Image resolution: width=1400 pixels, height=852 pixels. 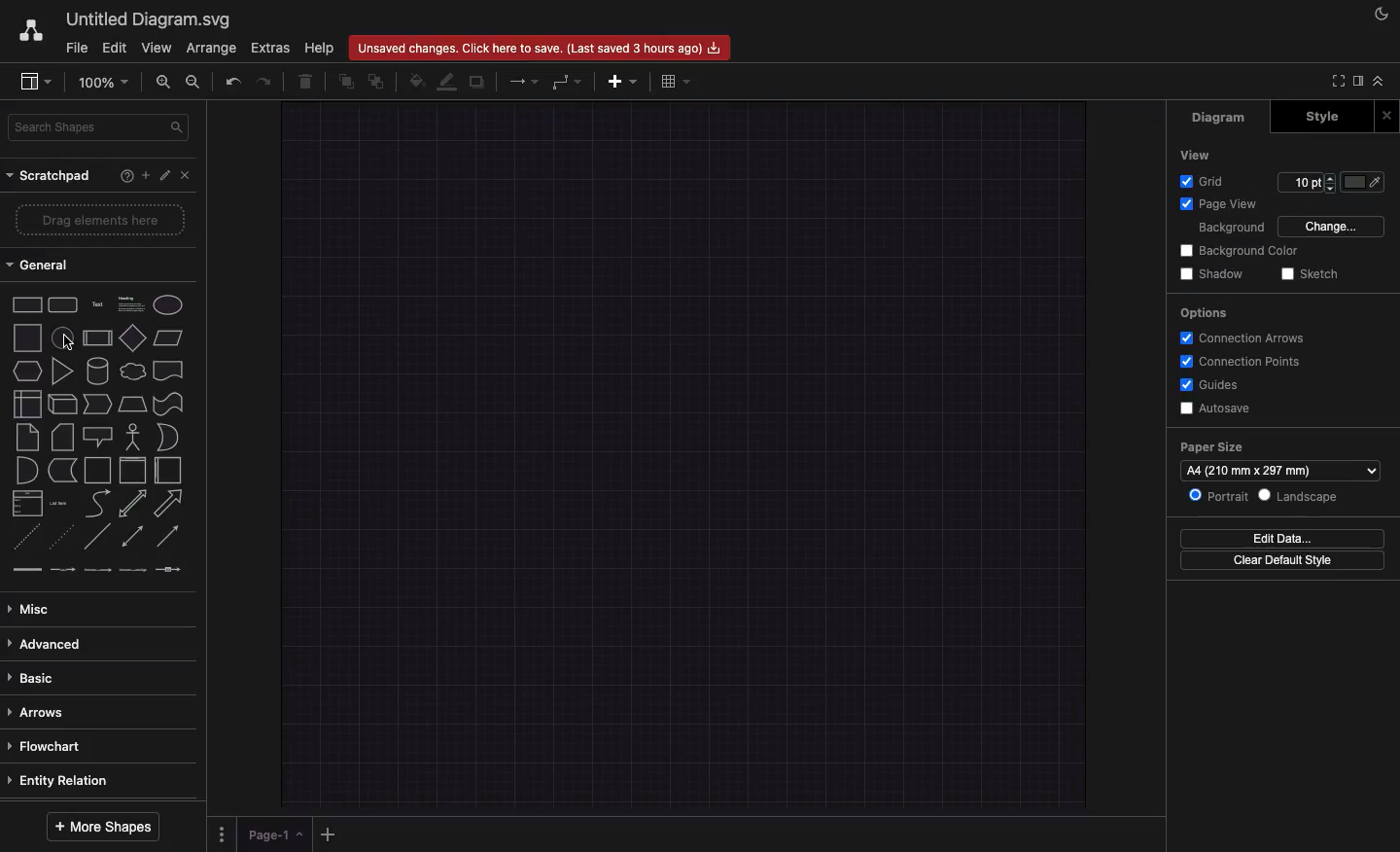 What do you see at coordinates (38, 80) in the screenshot?
I see `Sidebar` at bounding box center [38, 80].